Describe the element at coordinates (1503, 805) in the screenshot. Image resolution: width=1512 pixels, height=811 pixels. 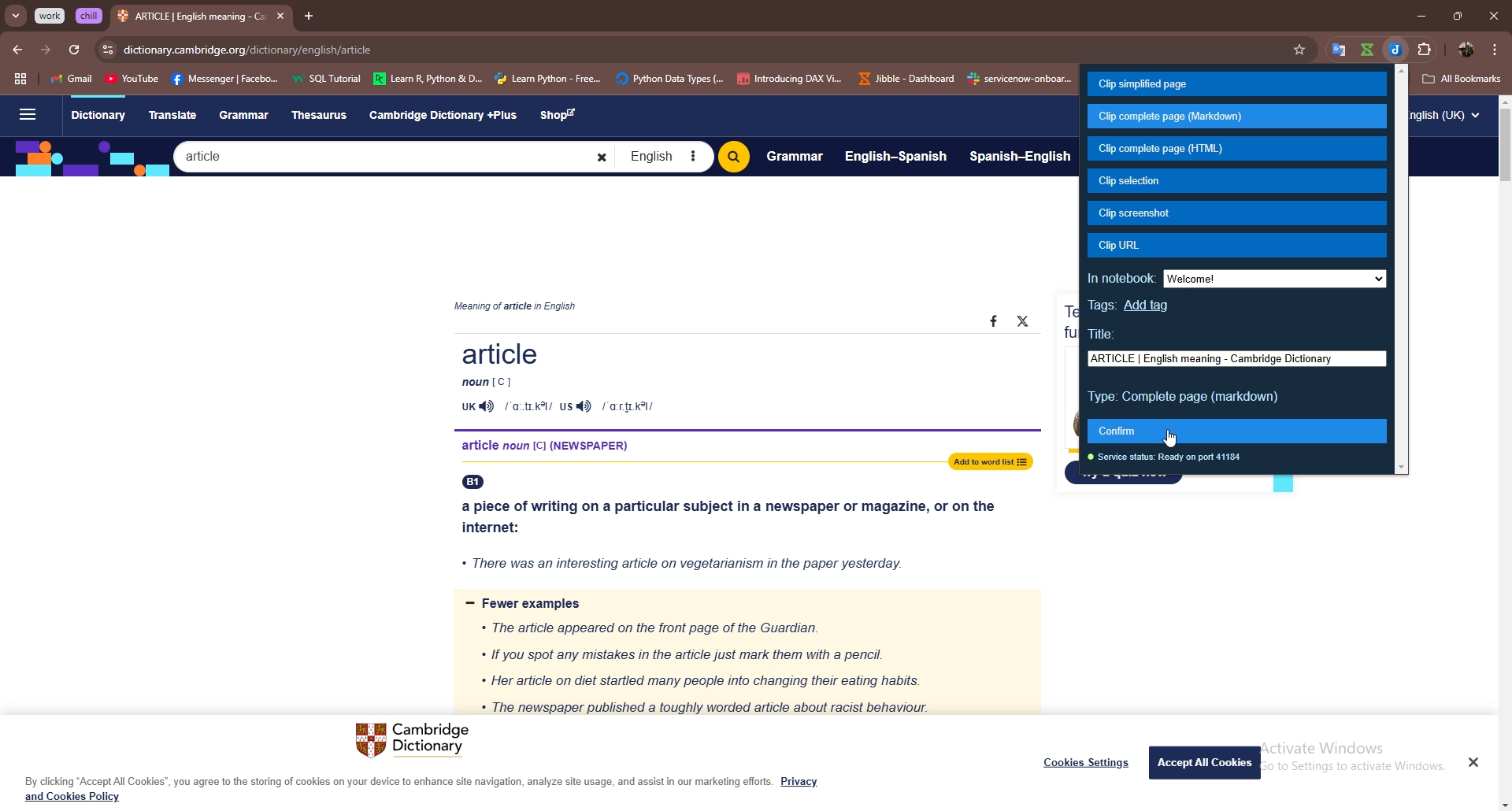
I see `scroll down` at that location.